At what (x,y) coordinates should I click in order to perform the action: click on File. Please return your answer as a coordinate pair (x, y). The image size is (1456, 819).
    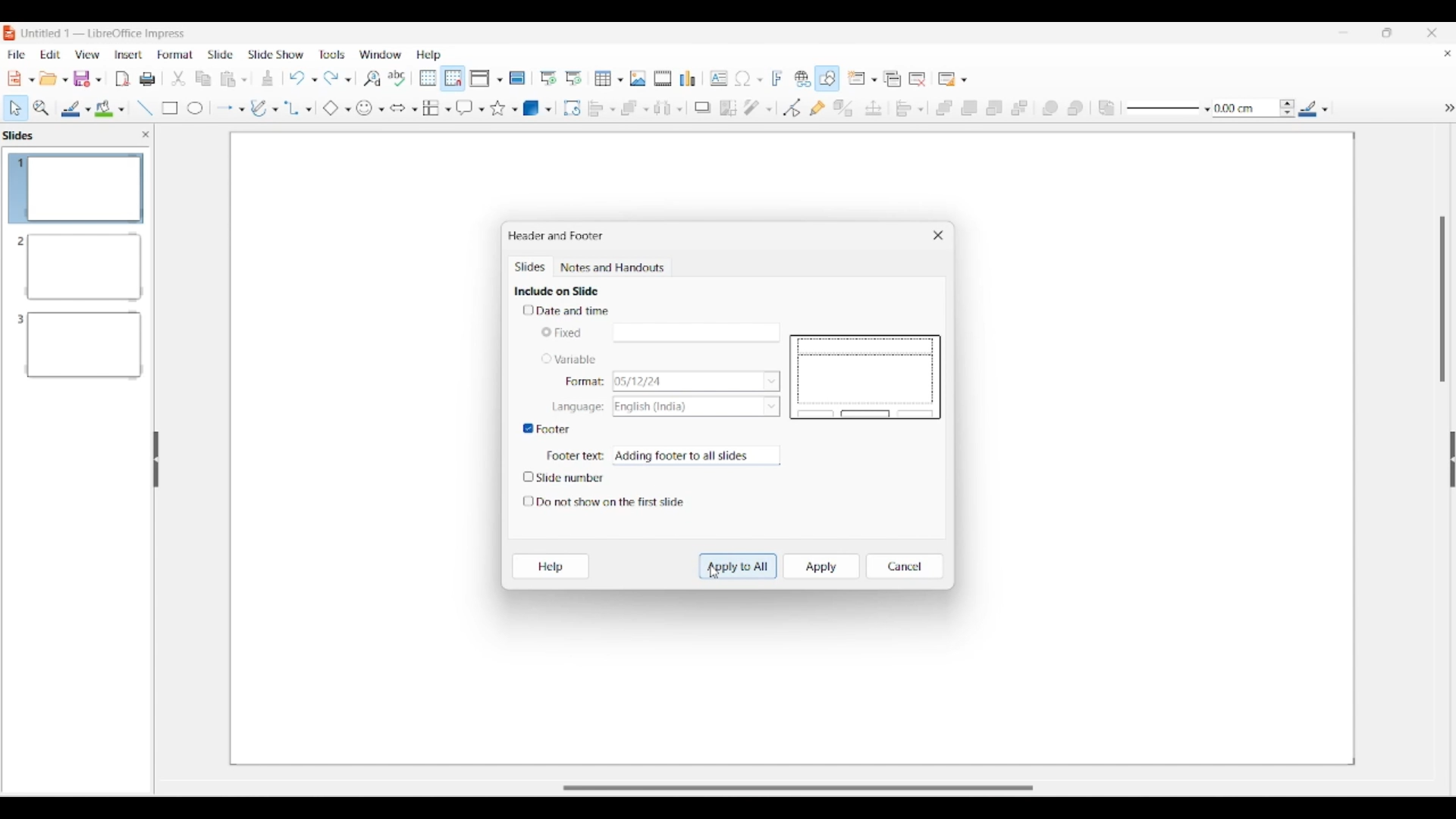
    Looking at the image, I should click on (121, 80).